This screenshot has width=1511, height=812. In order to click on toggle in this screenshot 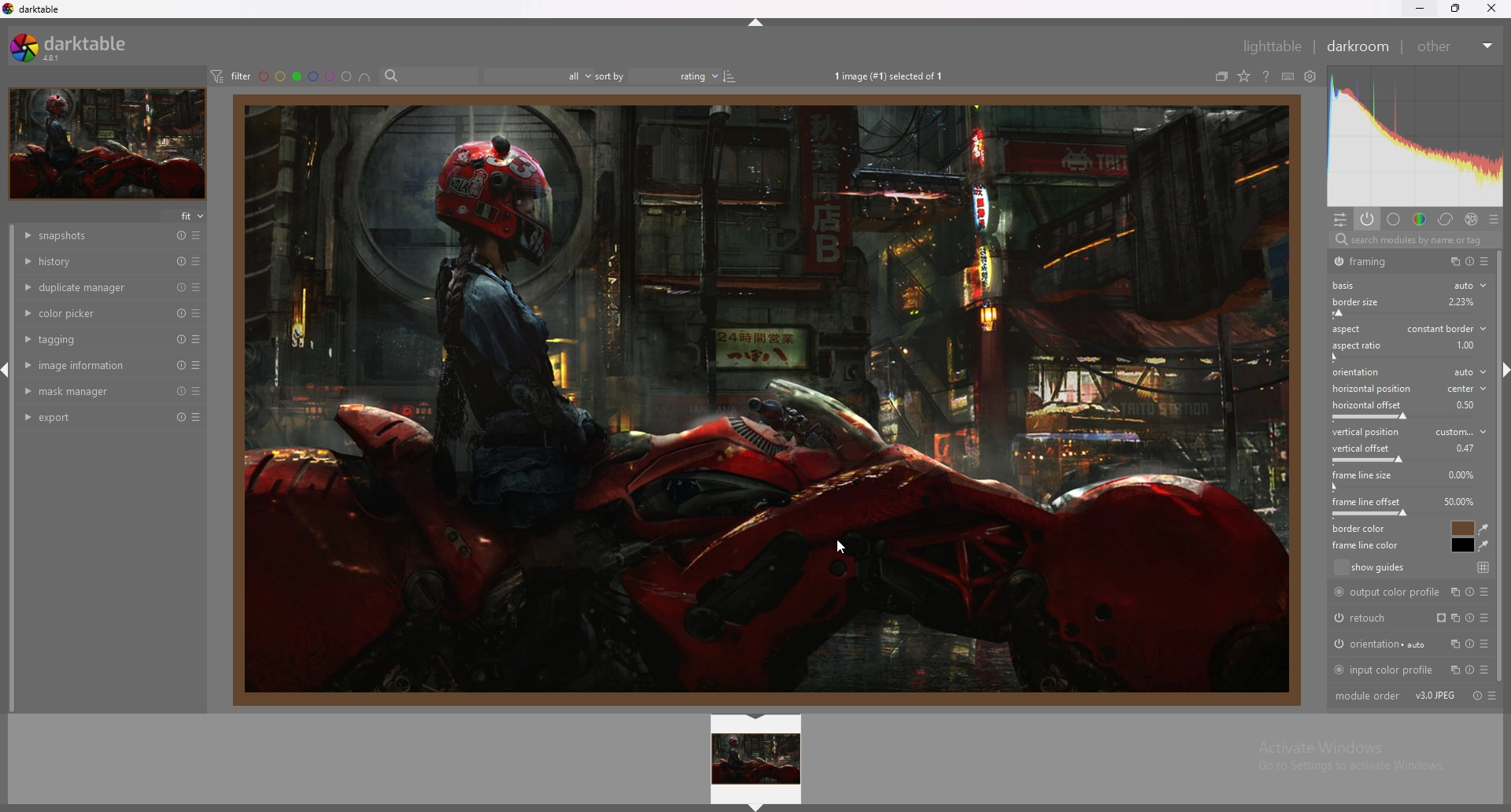, I will do `click(1474, 696)`.